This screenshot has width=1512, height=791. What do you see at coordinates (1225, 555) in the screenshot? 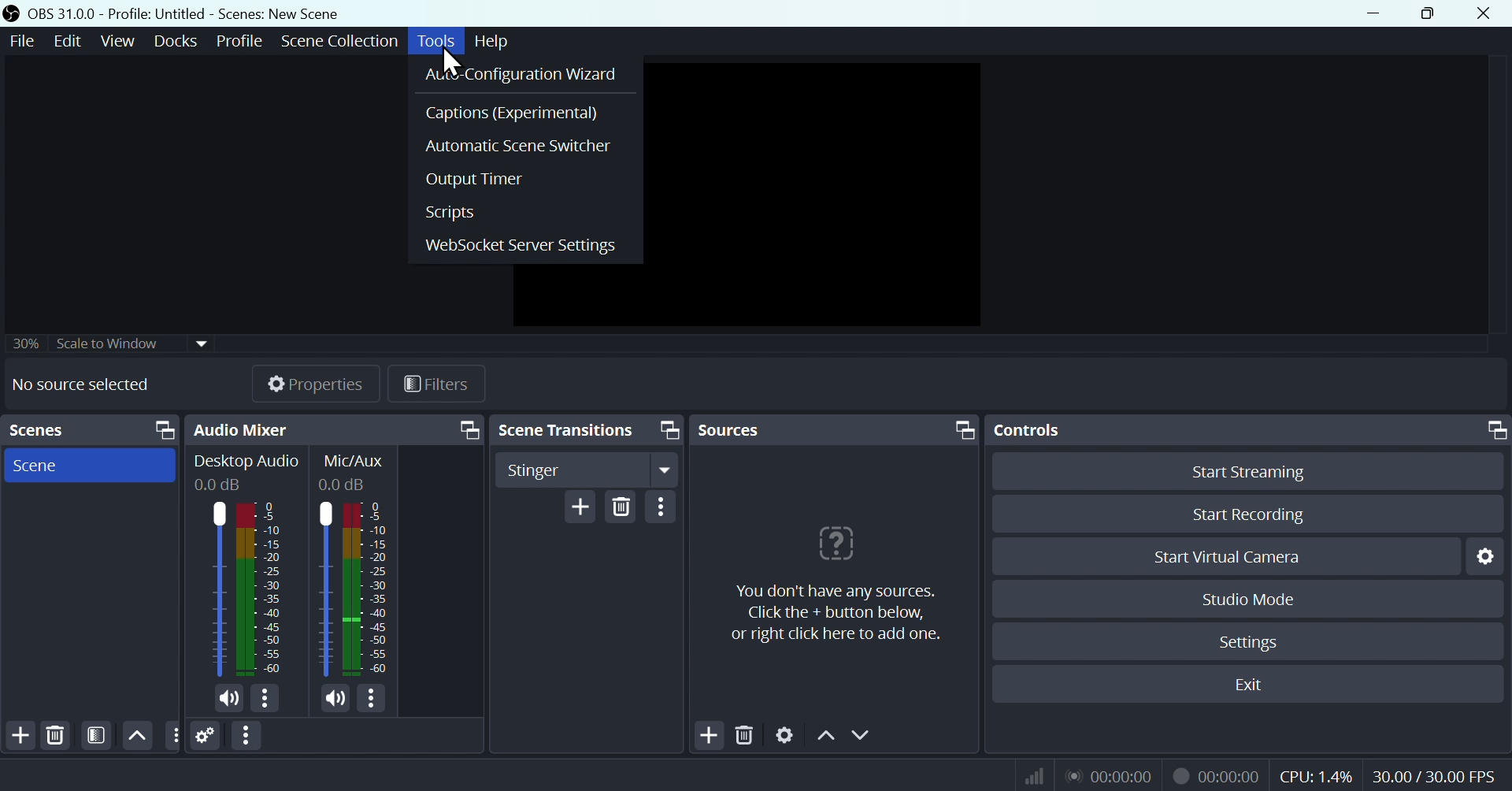
I see `Start Virtual Camera` at bounding box center [1225, 555].